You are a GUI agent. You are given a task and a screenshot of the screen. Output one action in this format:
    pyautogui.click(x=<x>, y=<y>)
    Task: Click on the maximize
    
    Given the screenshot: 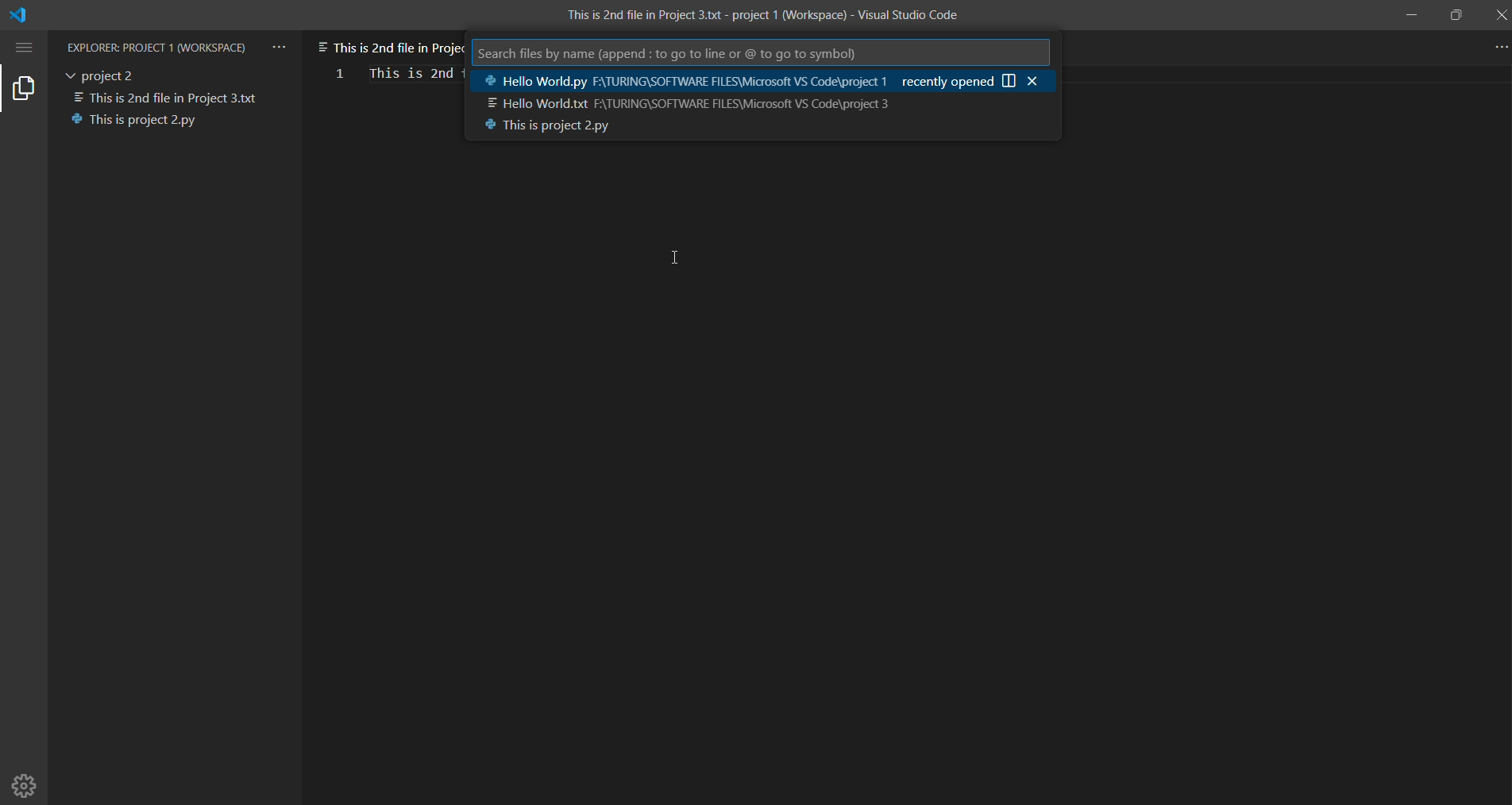 What is the action you would take?
    pyautogui.click(x=1455, y=12)
    